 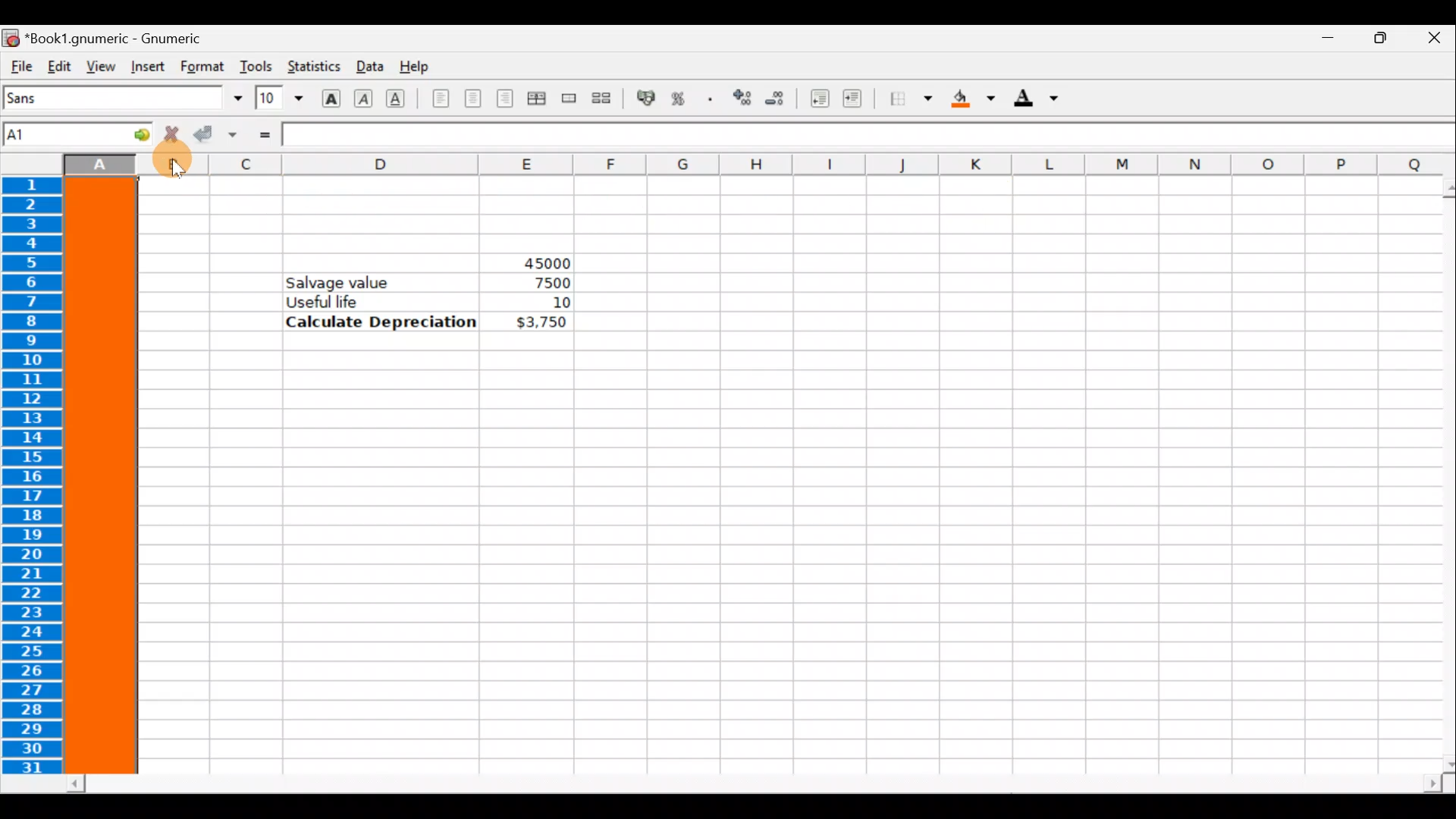 I want to click on Format, so click(x=204, y=66).